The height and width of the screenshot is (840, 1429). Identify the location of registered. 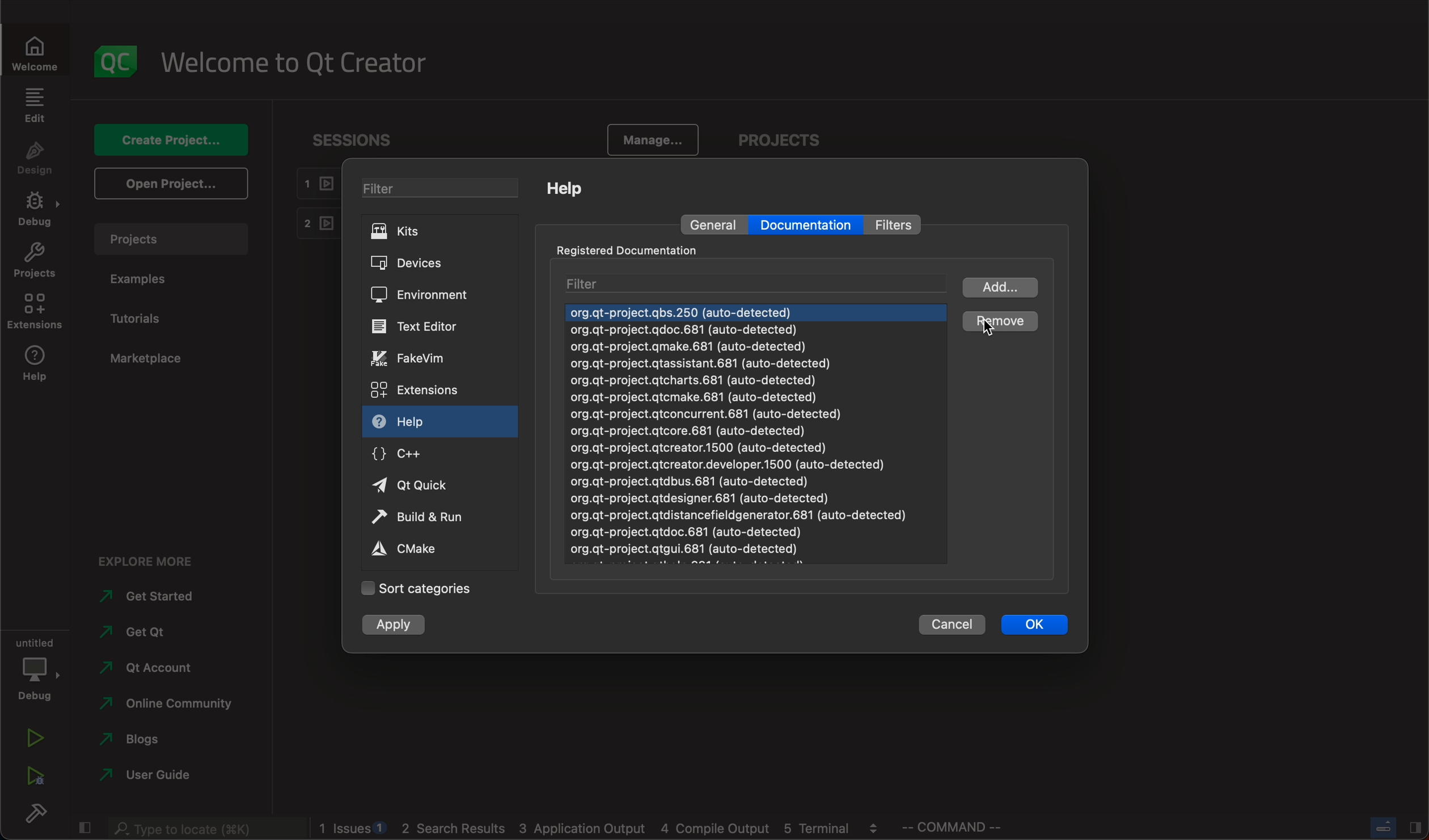
(633, 249).